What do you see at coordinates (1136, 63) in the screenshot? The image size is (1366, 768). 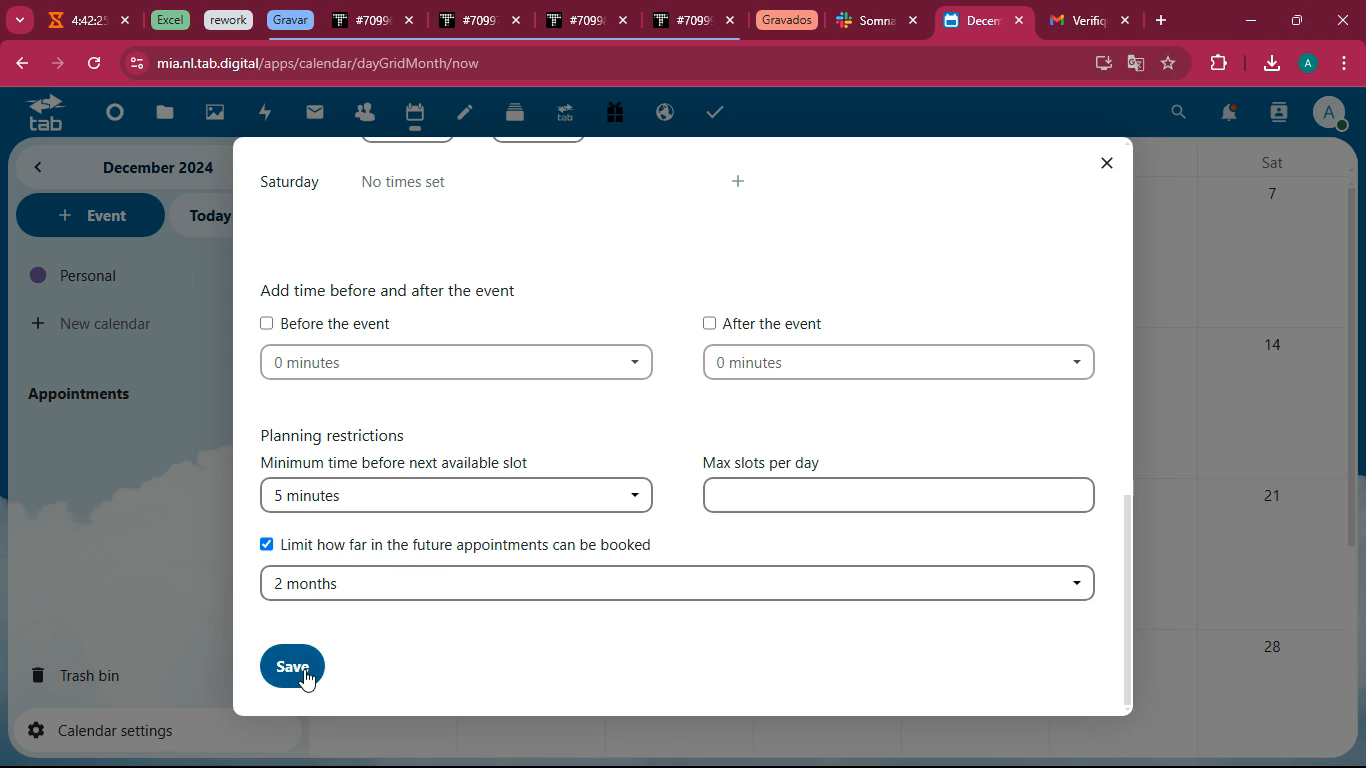 I see `google translator` at bounding box center [1136, 63].